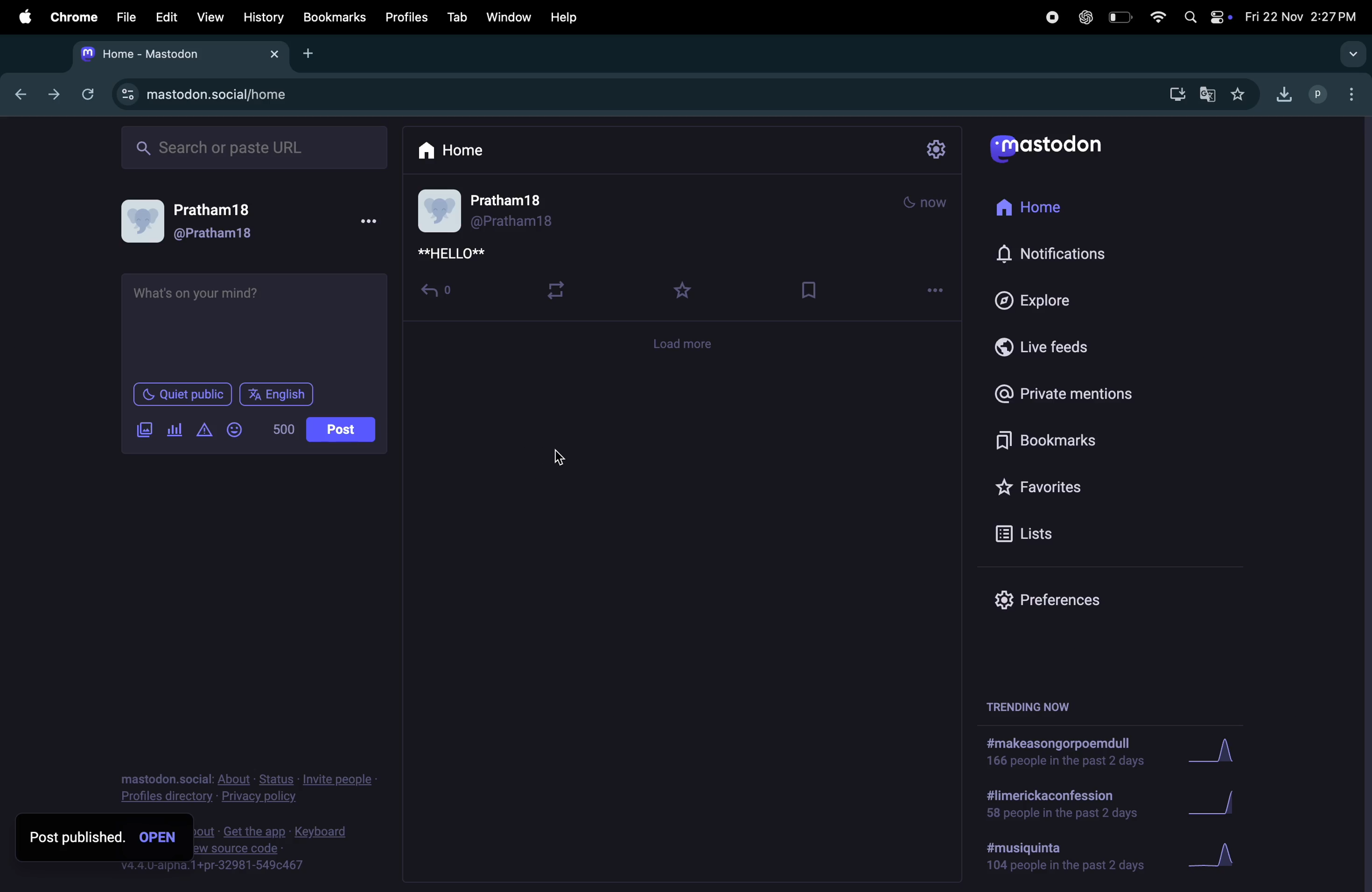 The height and width of the screenshot is (892, 1372). Describe the element at coordinates (334, 17) in the screenshot. I see `bookmarks` at that location.